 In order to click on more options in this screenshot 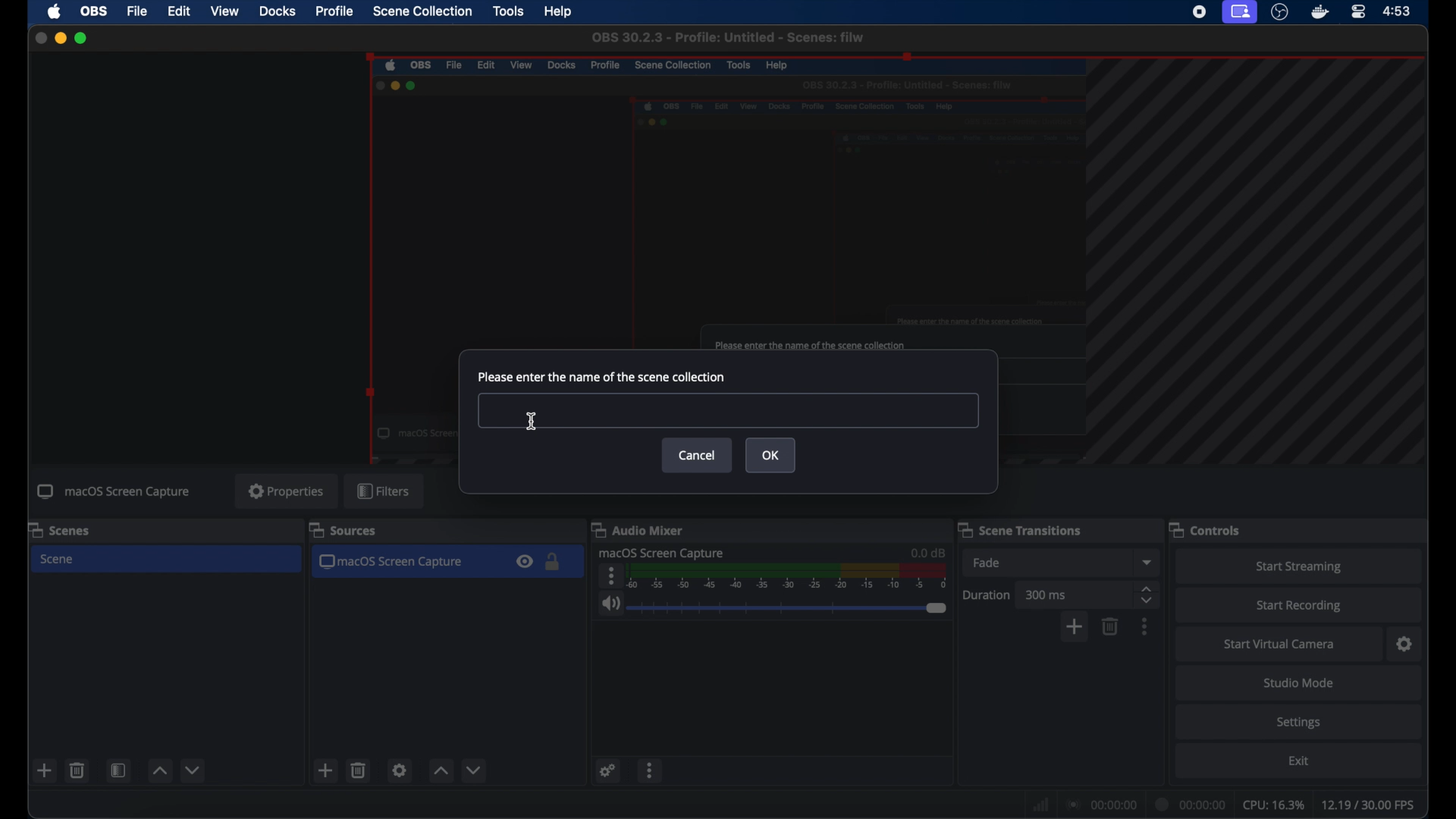, I will do `click(609, 576)`.